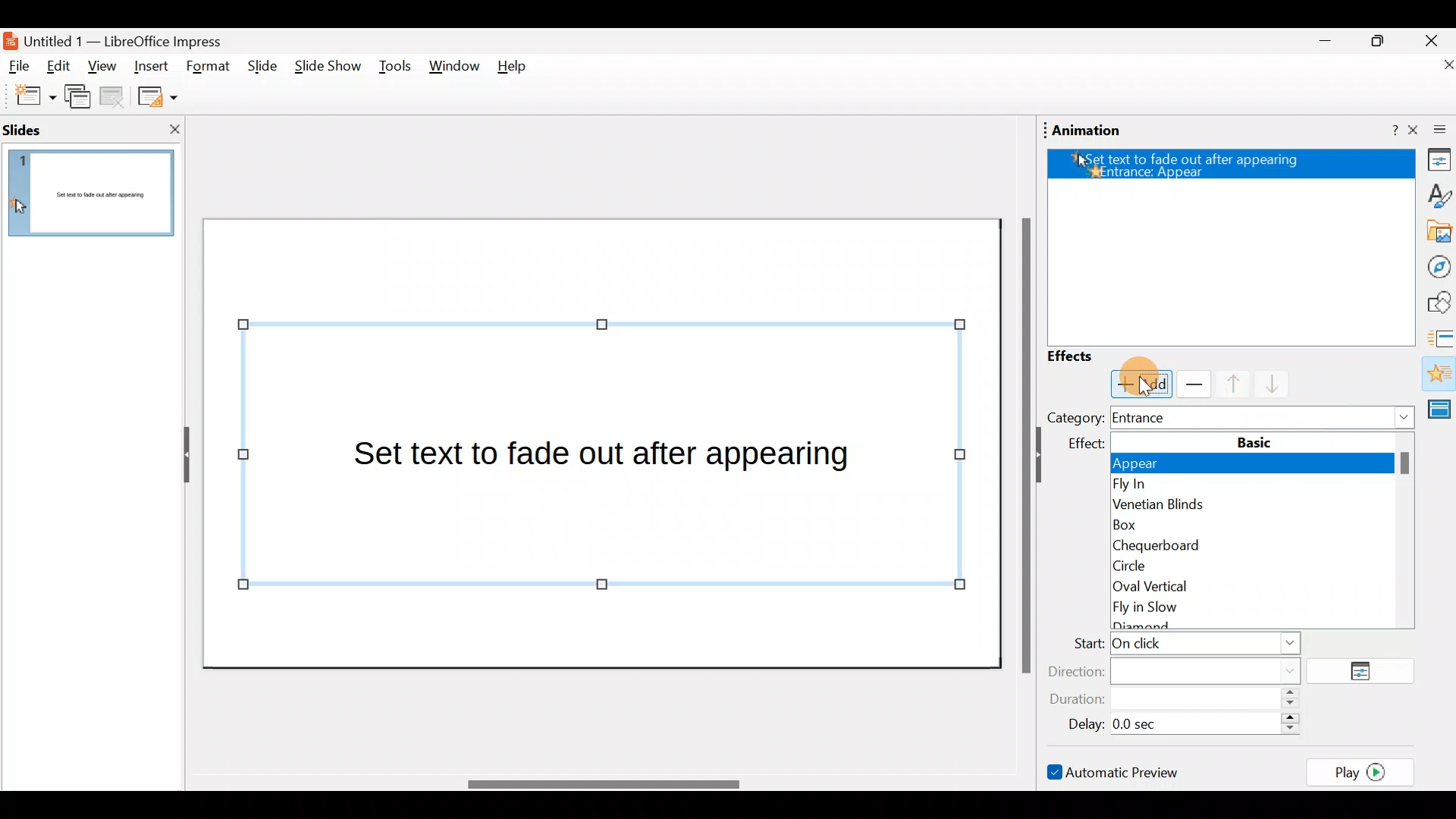  Describe the element at coordinates (1023, 444) in the screenshot. I see `Scroll bar` at that location.